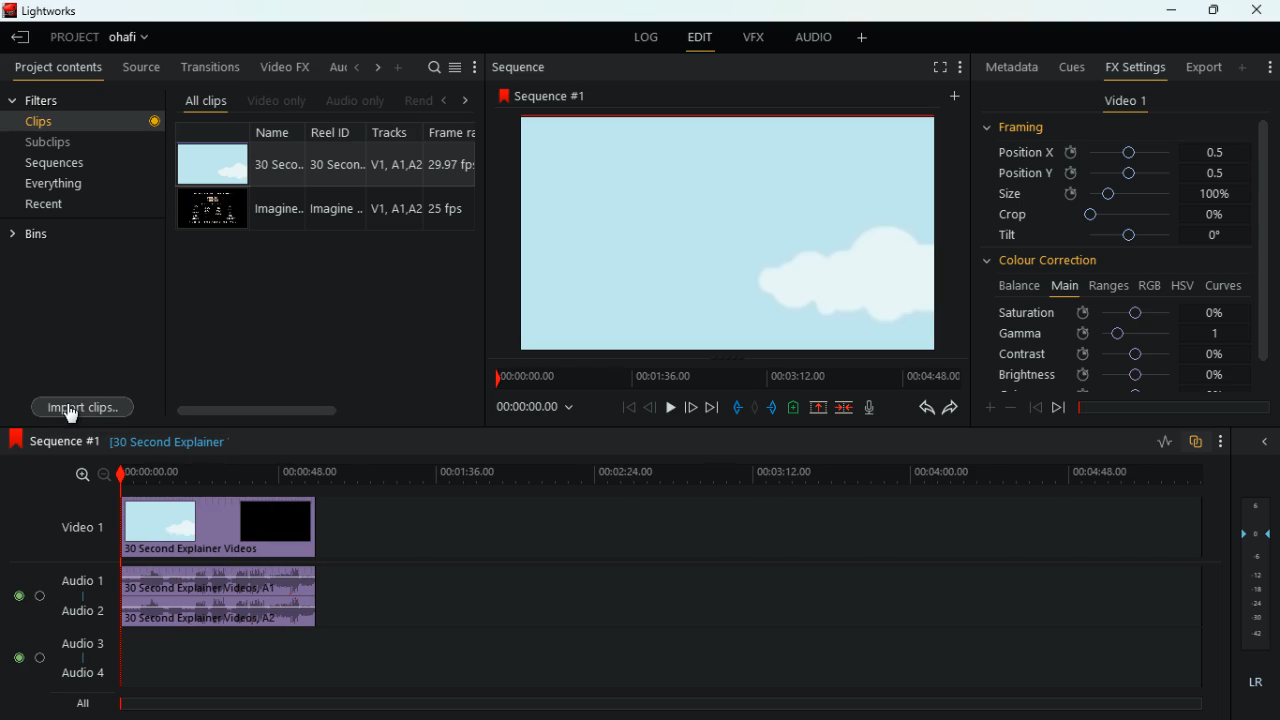 This screenshot has width=1280, height=720. What do you see at coordinates (542, 95) in the screenshot?
I see `sequence` at bounding box center [542, 95].